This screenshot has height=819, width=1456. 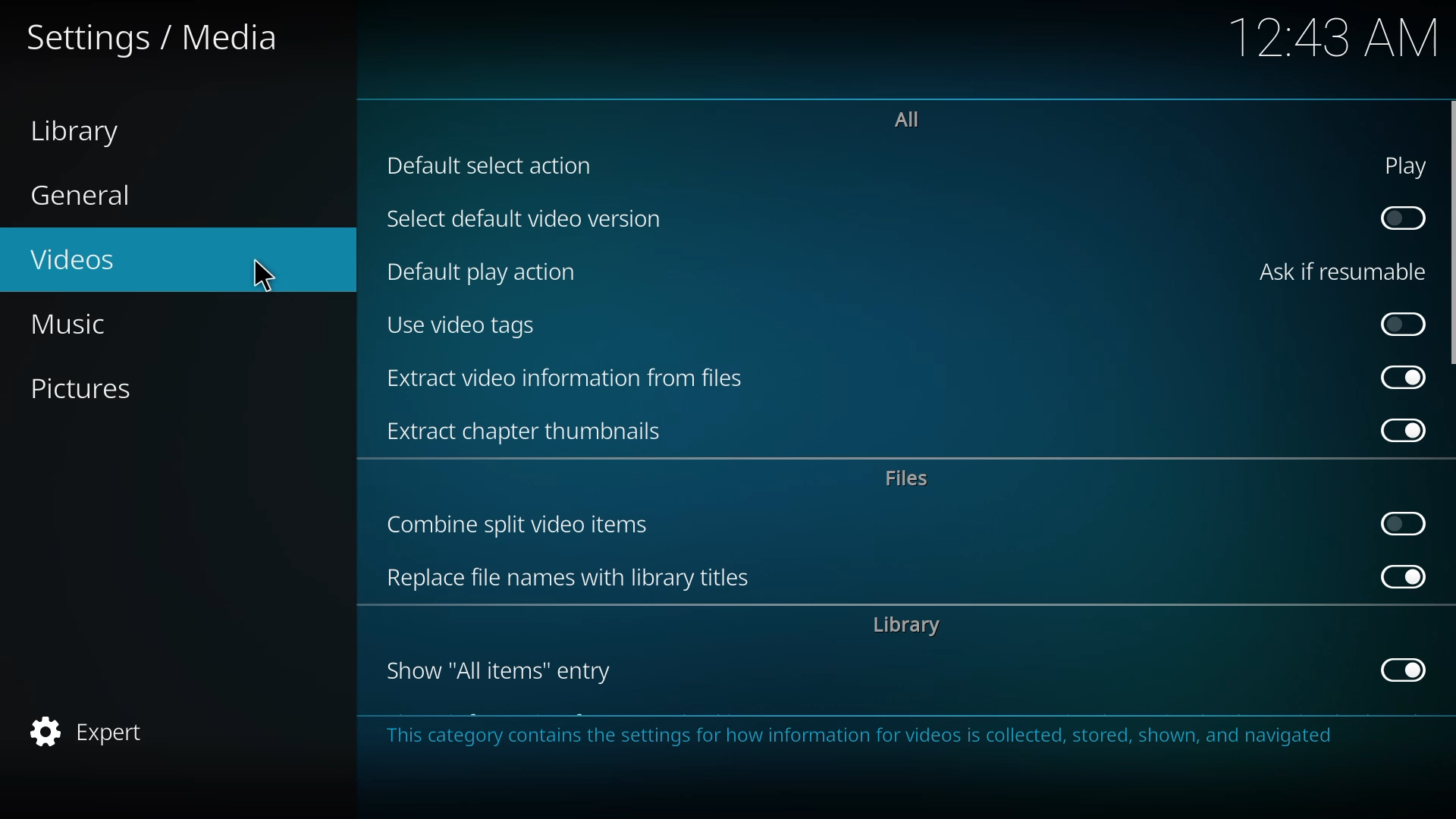 What do you see at coordinates (85, 197) in the screenshot?
I see `general` at bounding box center [85, 197].